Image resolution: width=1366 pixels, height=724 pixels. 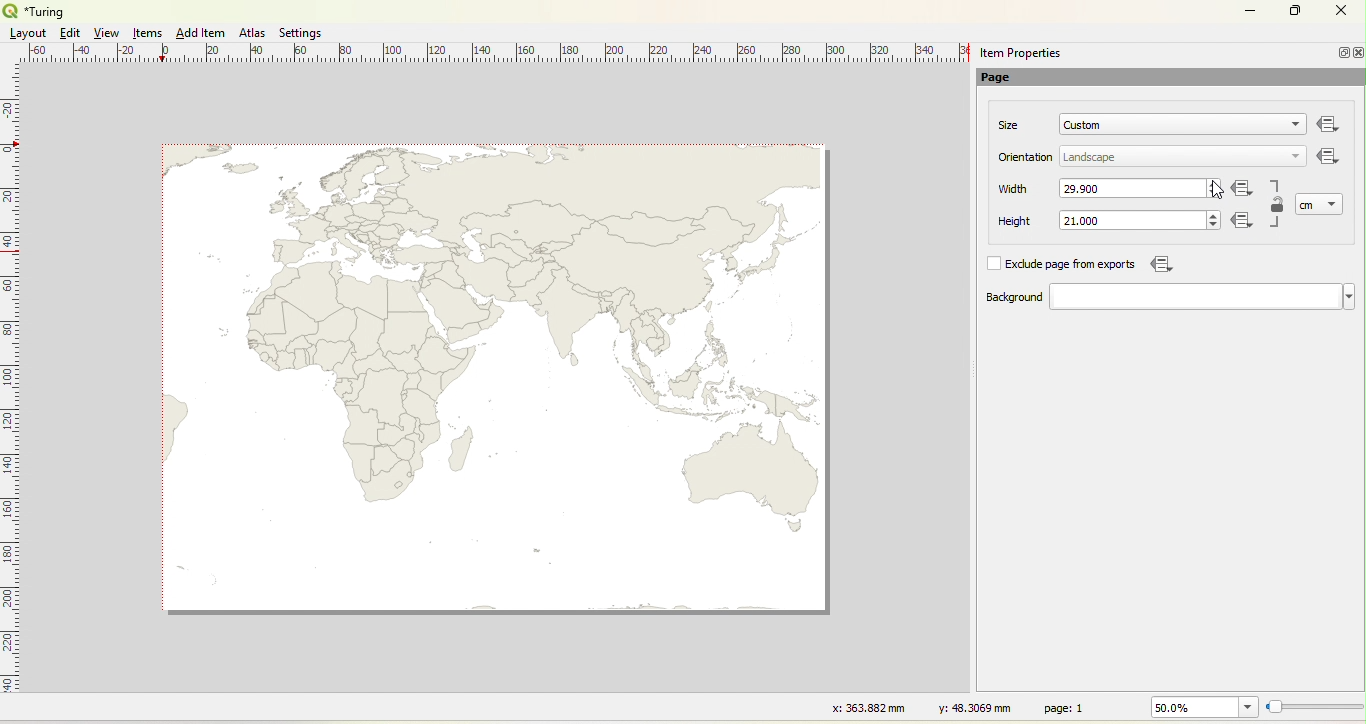 I want to click on Icon, so click(x=1246, y=222).